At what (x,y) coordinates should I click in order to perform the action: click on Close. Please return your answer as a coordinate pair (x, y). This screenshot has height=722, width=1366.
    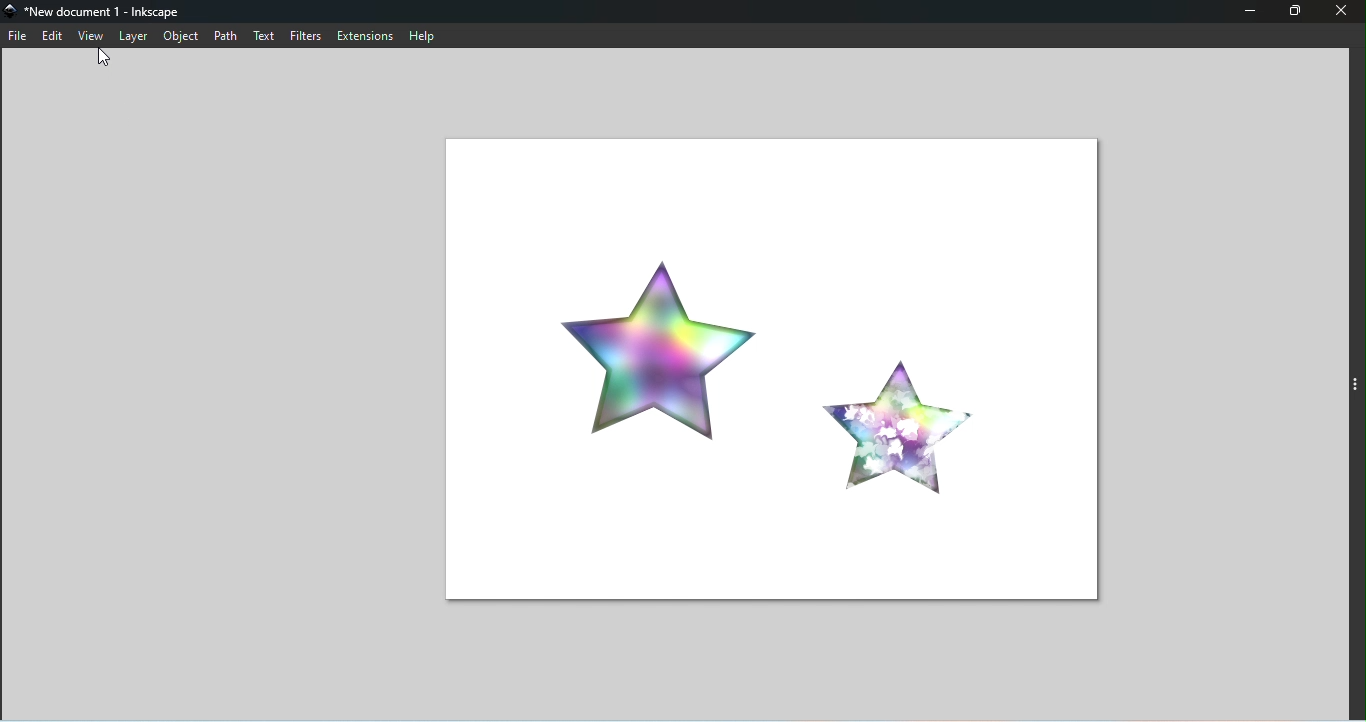
    Looking at the image, I should click on (1342, 14).